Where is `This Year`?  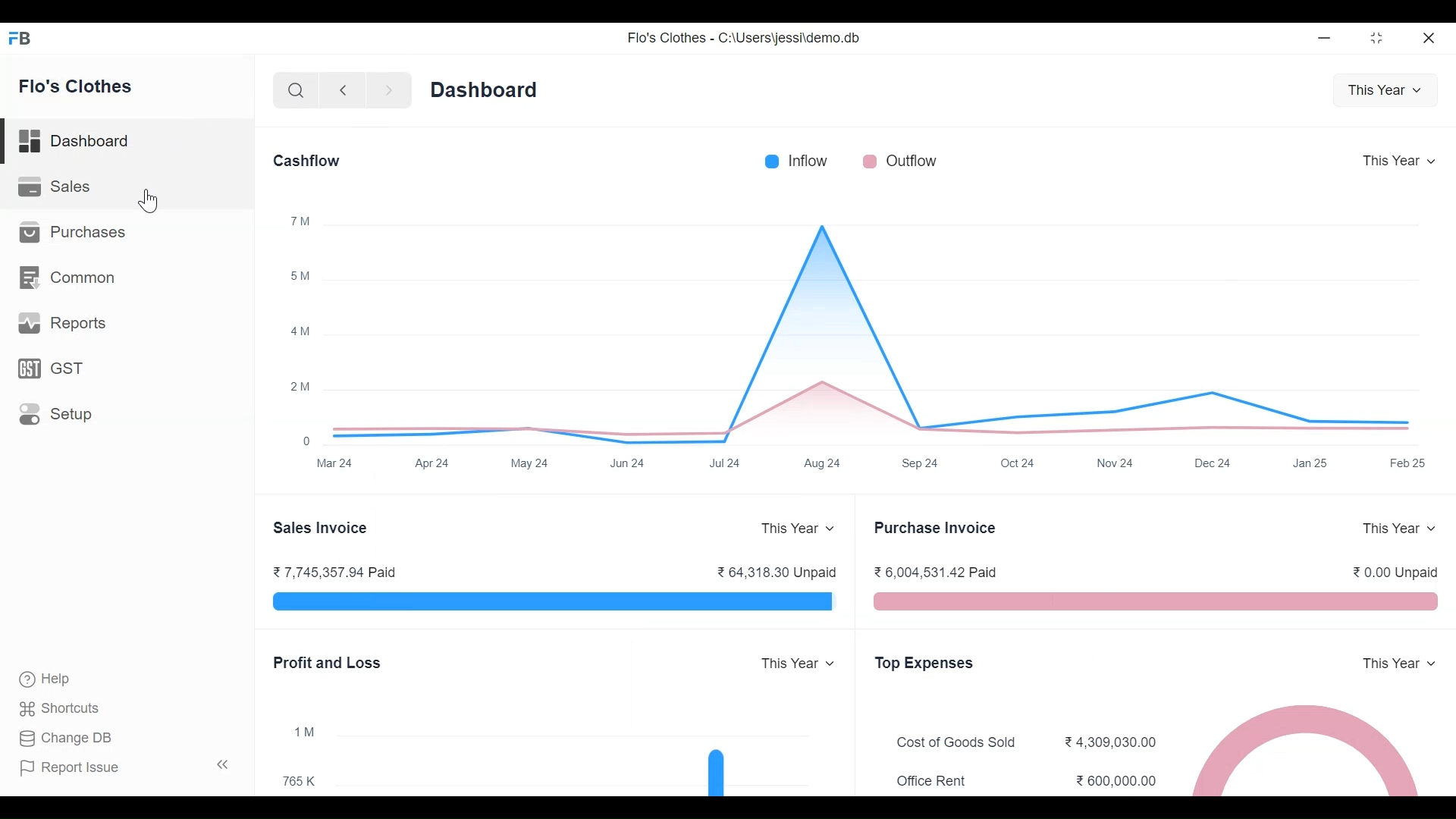
This Year is located at coordinates (1397, 160).